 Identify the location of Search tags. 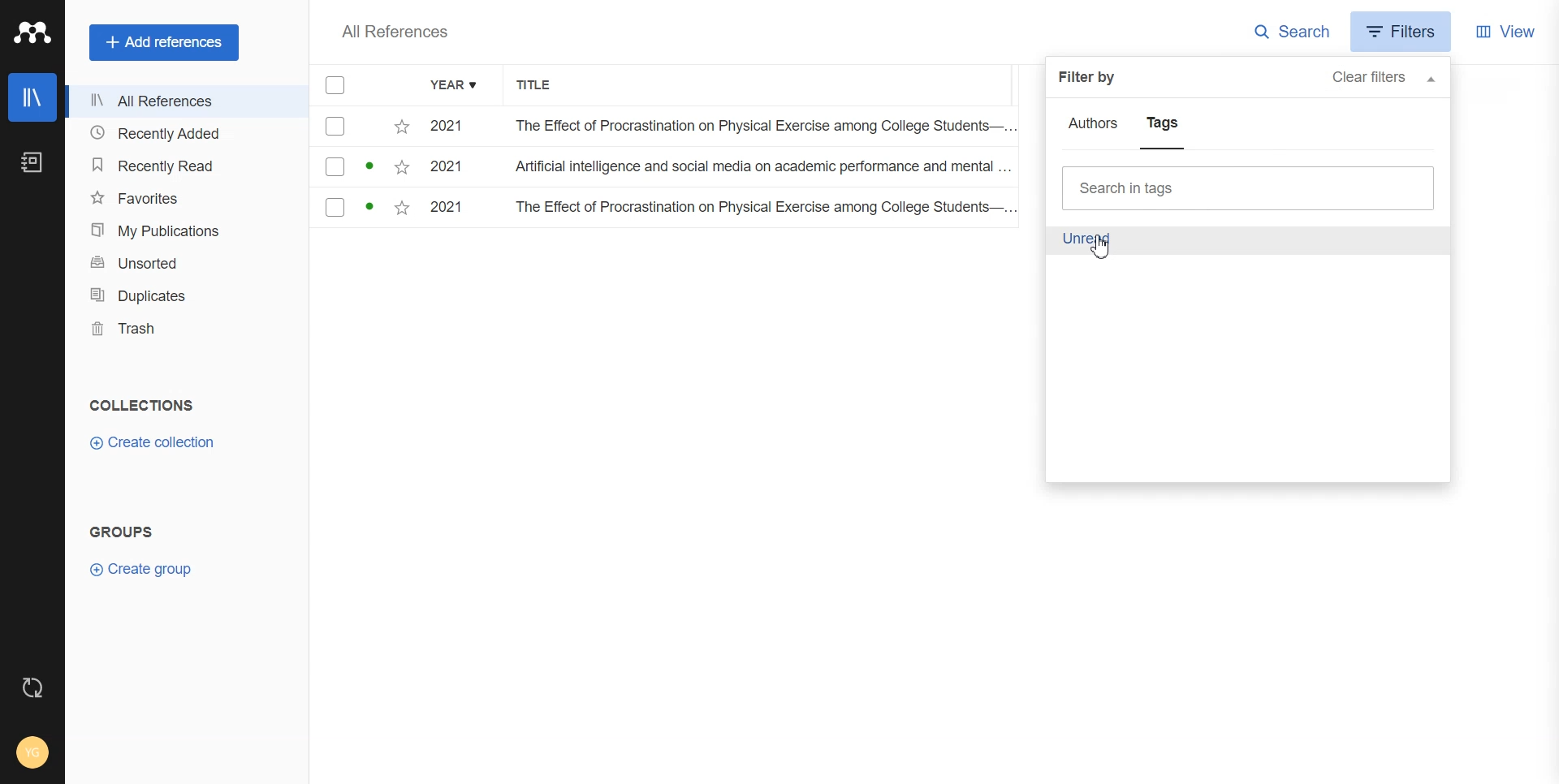
(1250, 188).